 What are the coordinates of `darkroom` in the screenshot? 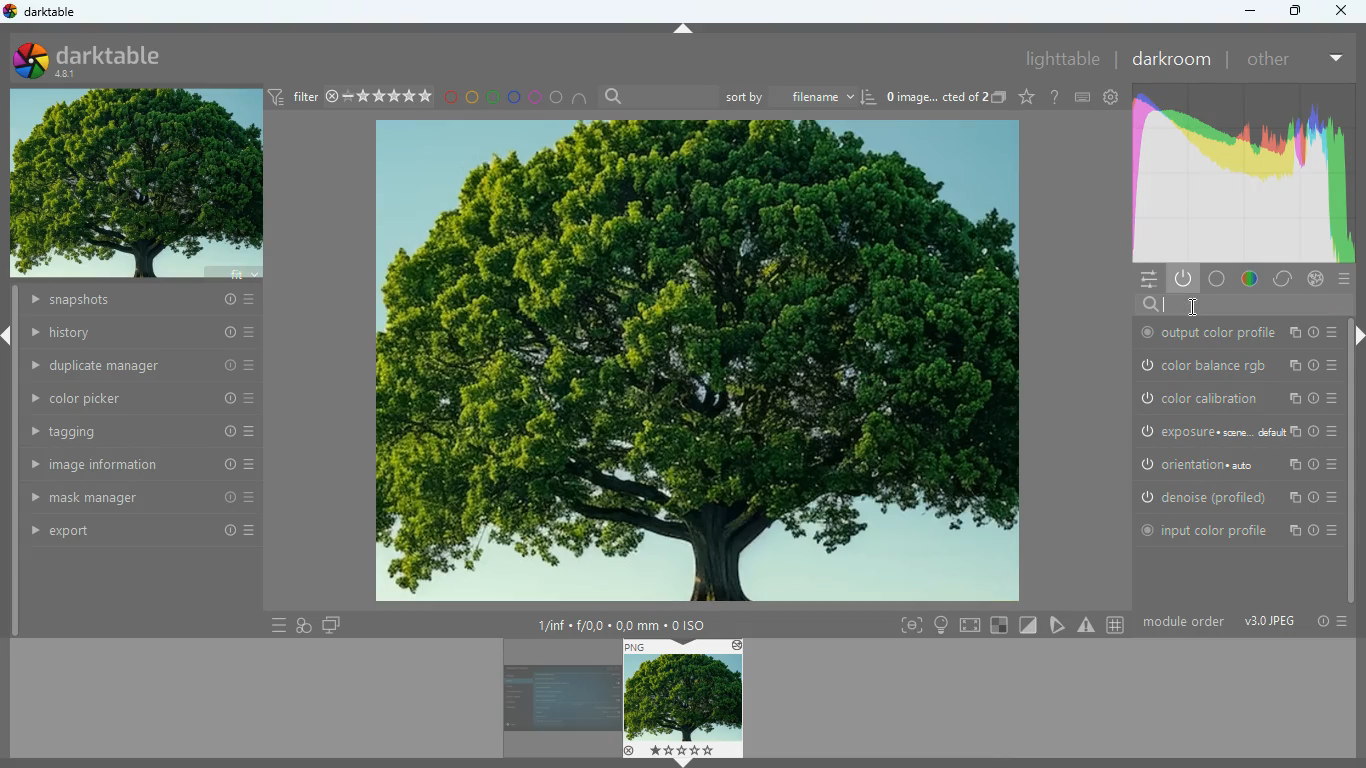 It's located at (1170, 58).